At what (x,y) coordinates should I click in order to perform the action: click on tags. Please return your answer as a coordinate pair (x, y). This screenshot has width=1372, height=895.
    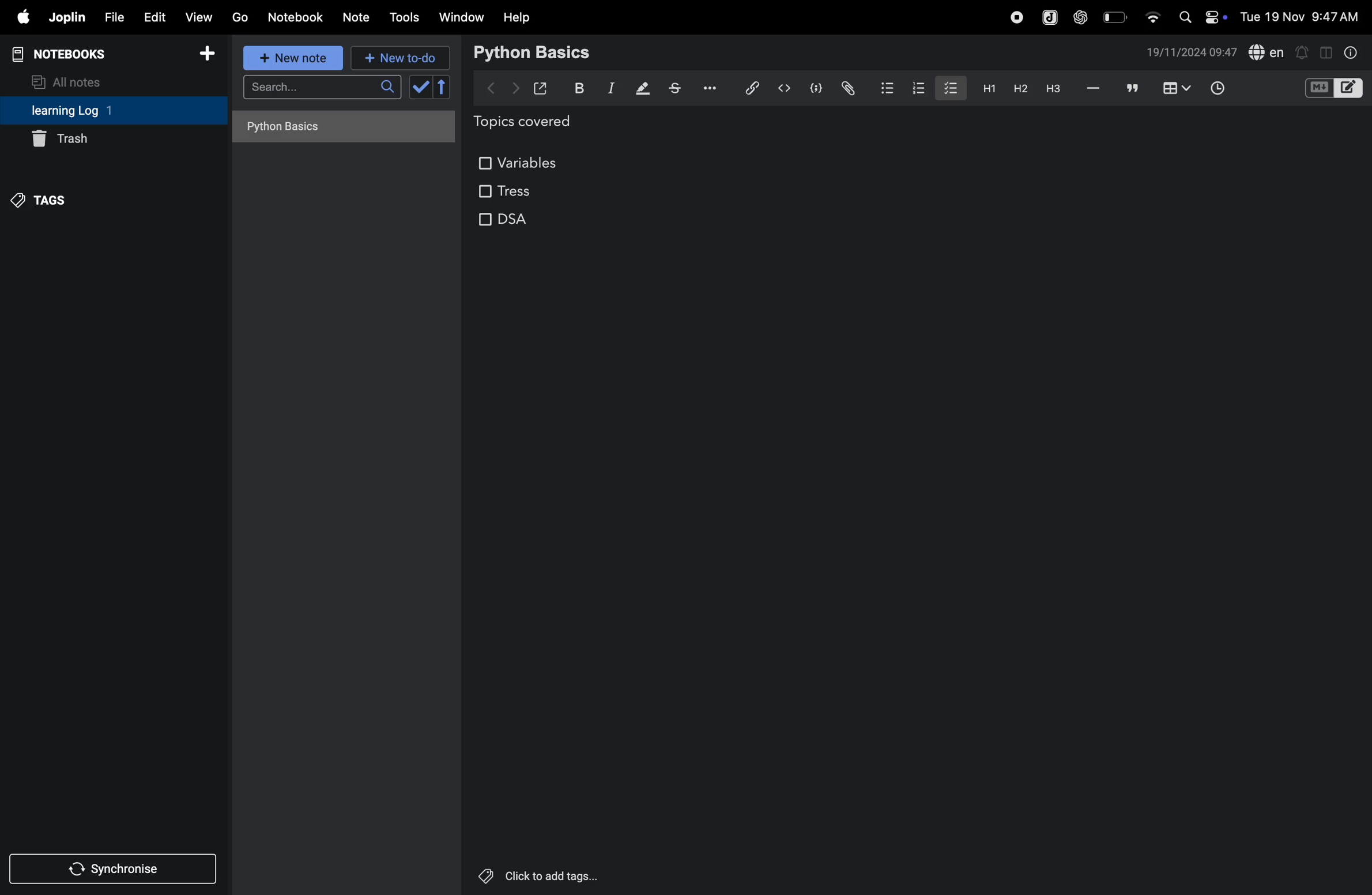
    Looking at the image, I should click on (42, 198).